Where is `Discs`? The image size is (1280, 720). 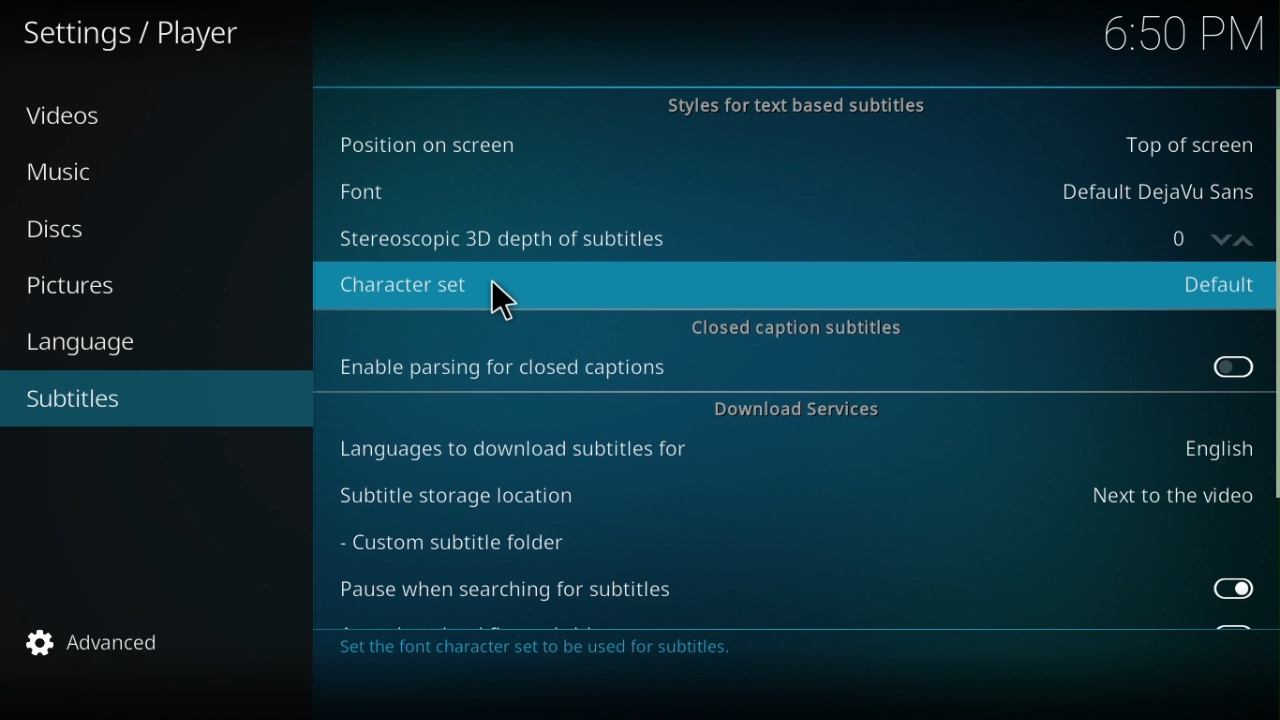
Discs is located at coordinates (67, 229).